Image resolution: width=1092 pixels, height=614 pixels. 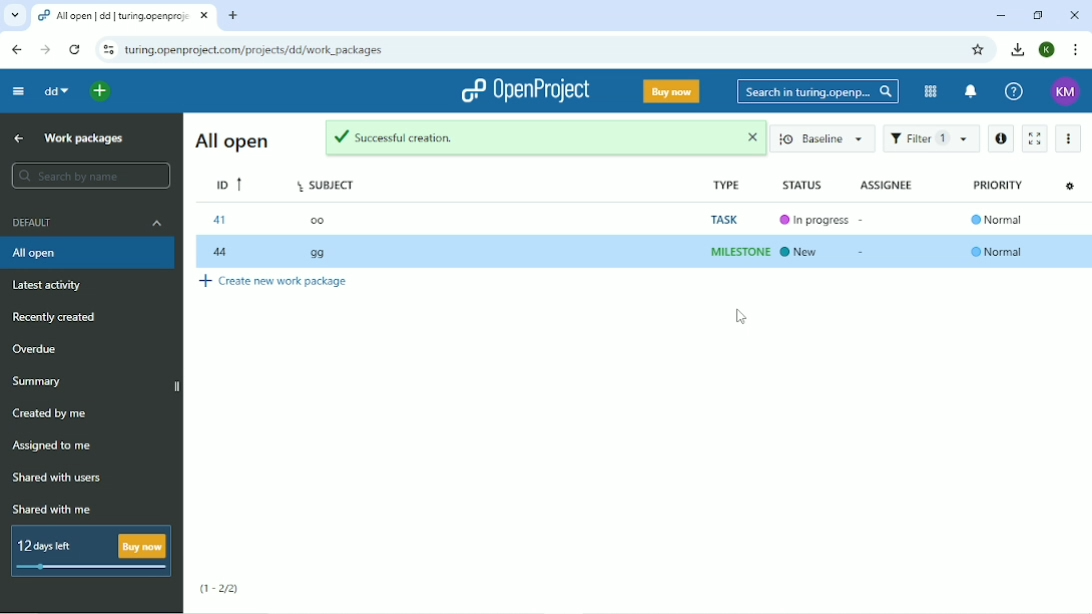 What do you see at coordinates (1046, 50) in the screenshot?
I see `K` at bounding box center [1046, 50].